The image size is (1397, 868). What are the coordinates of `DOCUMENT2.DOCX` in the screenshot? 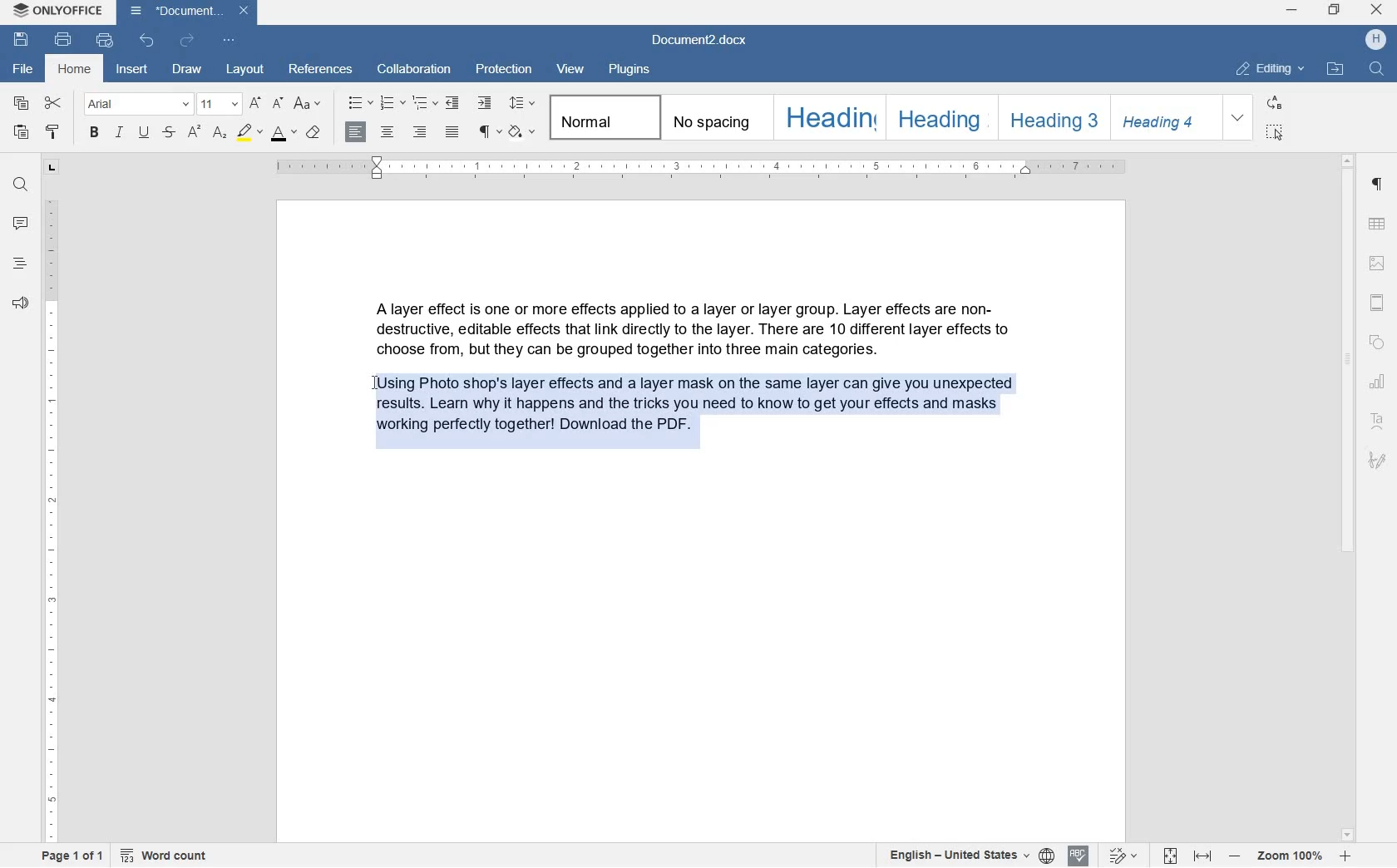 It's located at (703, 41).